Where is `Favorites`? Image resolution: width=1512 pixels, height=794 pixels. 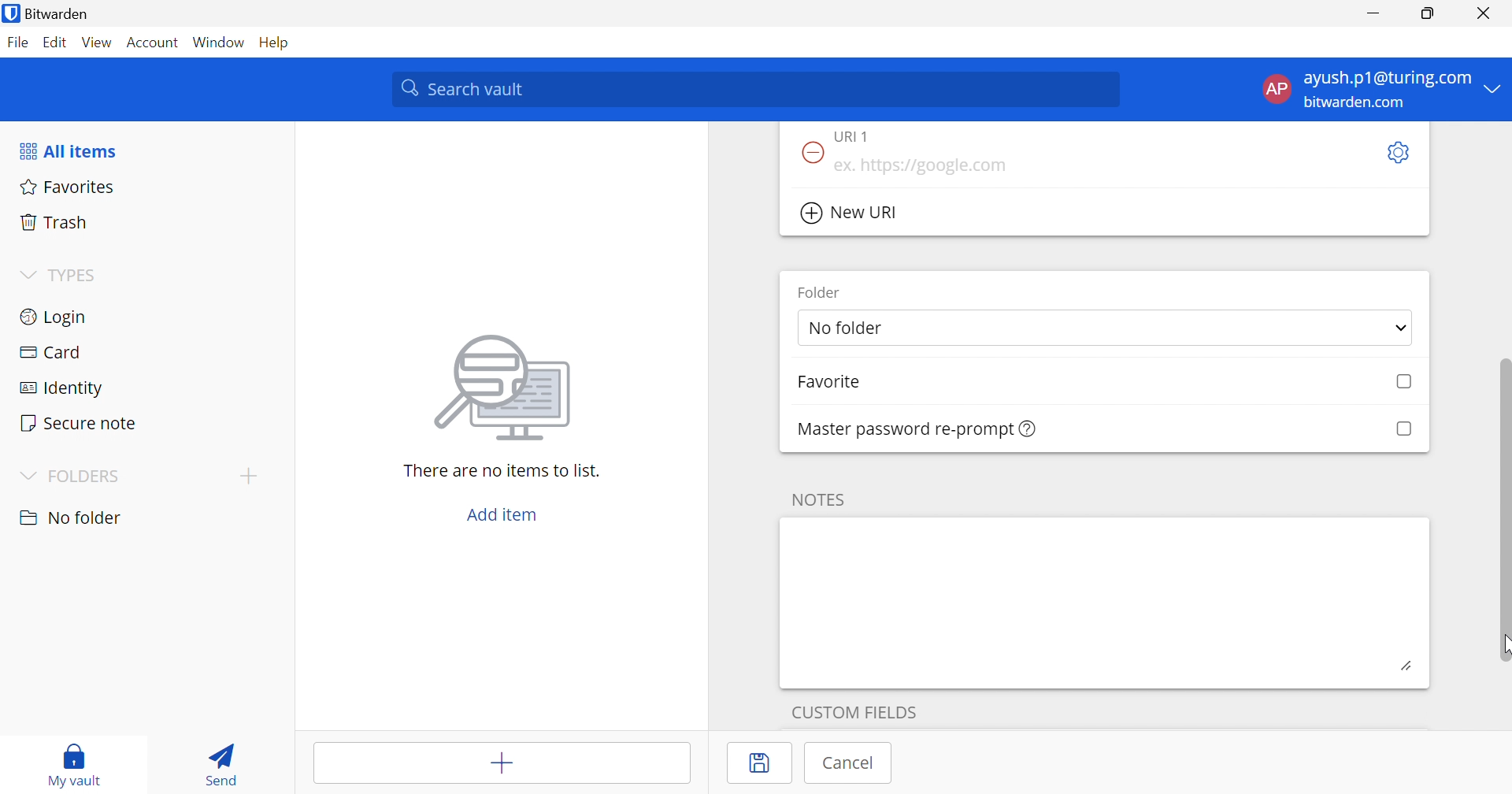
Favorites is located at coordinates (65, 185).